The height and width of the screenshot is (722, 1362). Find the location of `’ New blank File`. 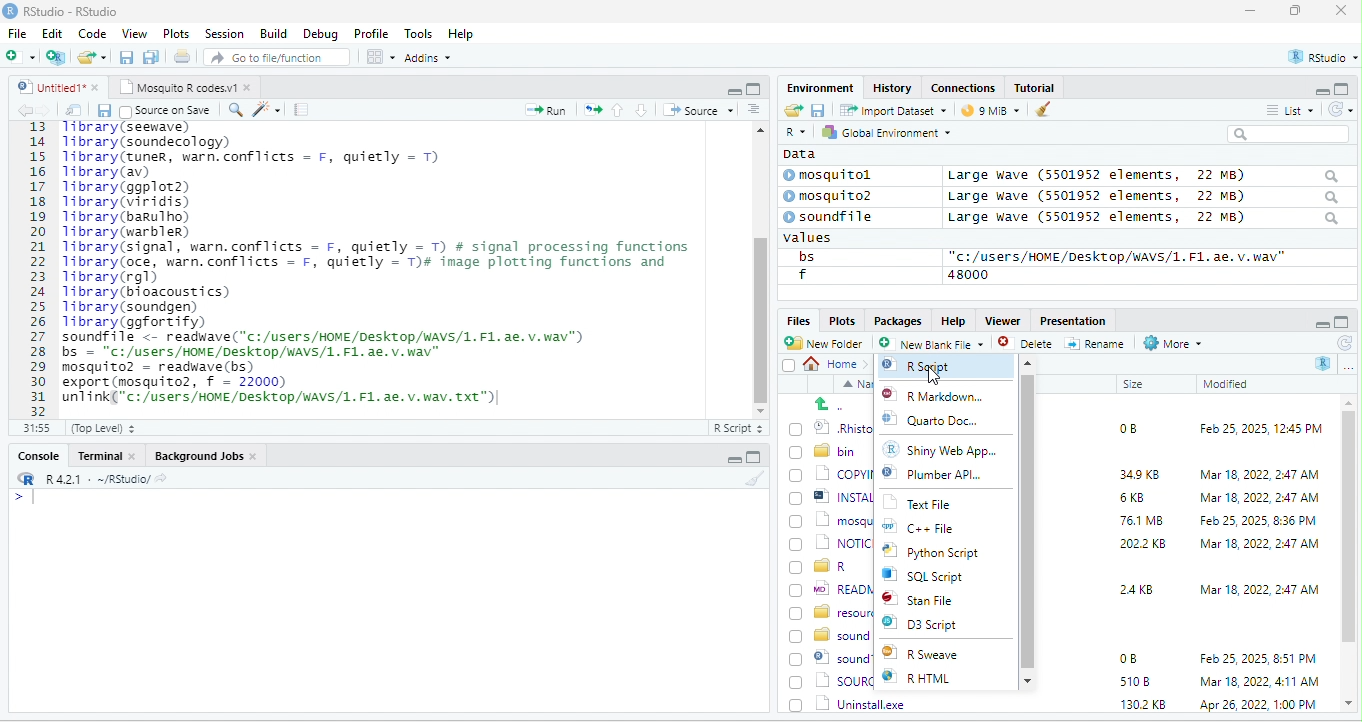

’ New blank File is located at coordinates (937, 346).